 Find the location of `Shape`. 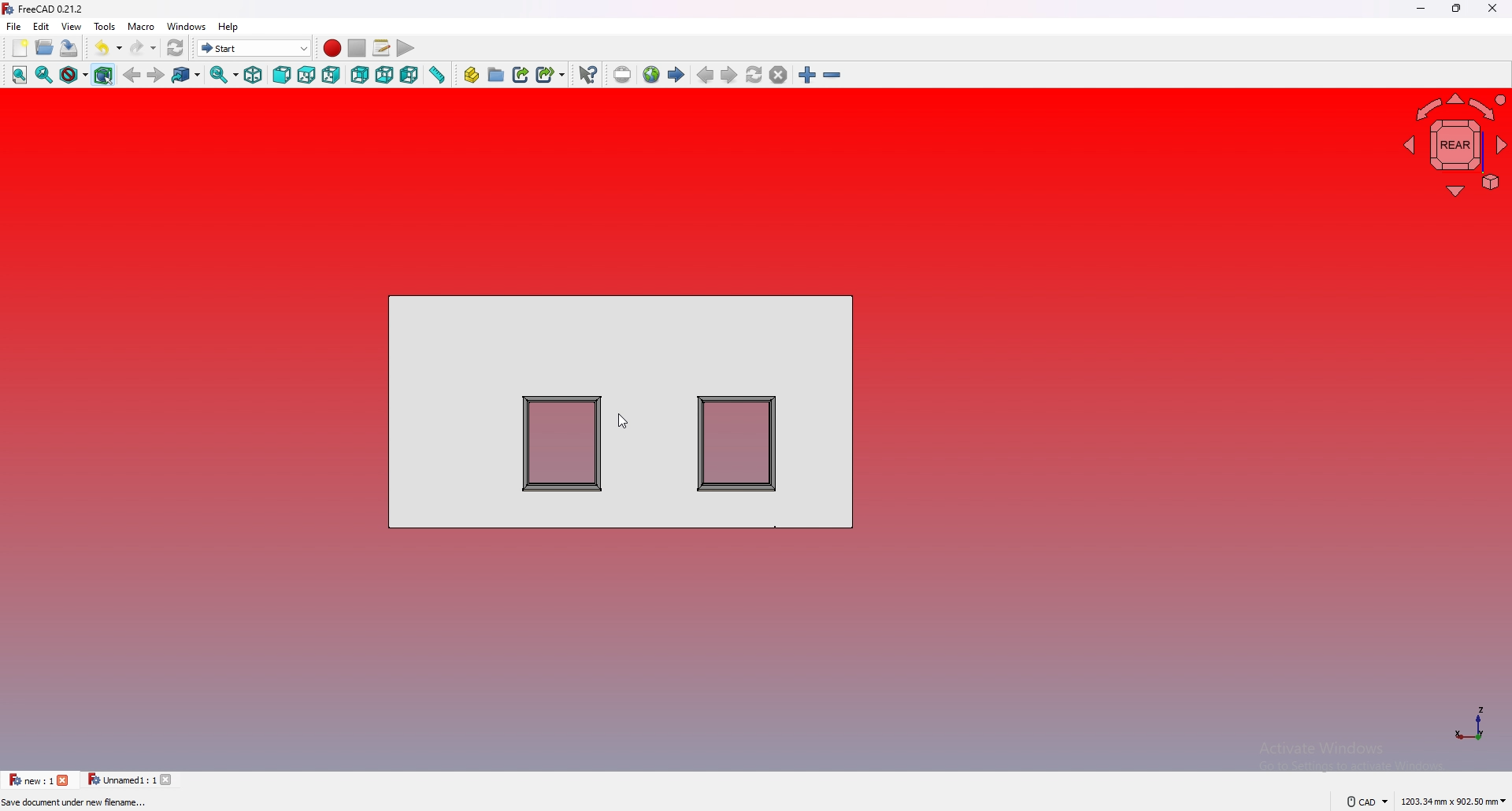

Shape is located at coordinates (622, 409).